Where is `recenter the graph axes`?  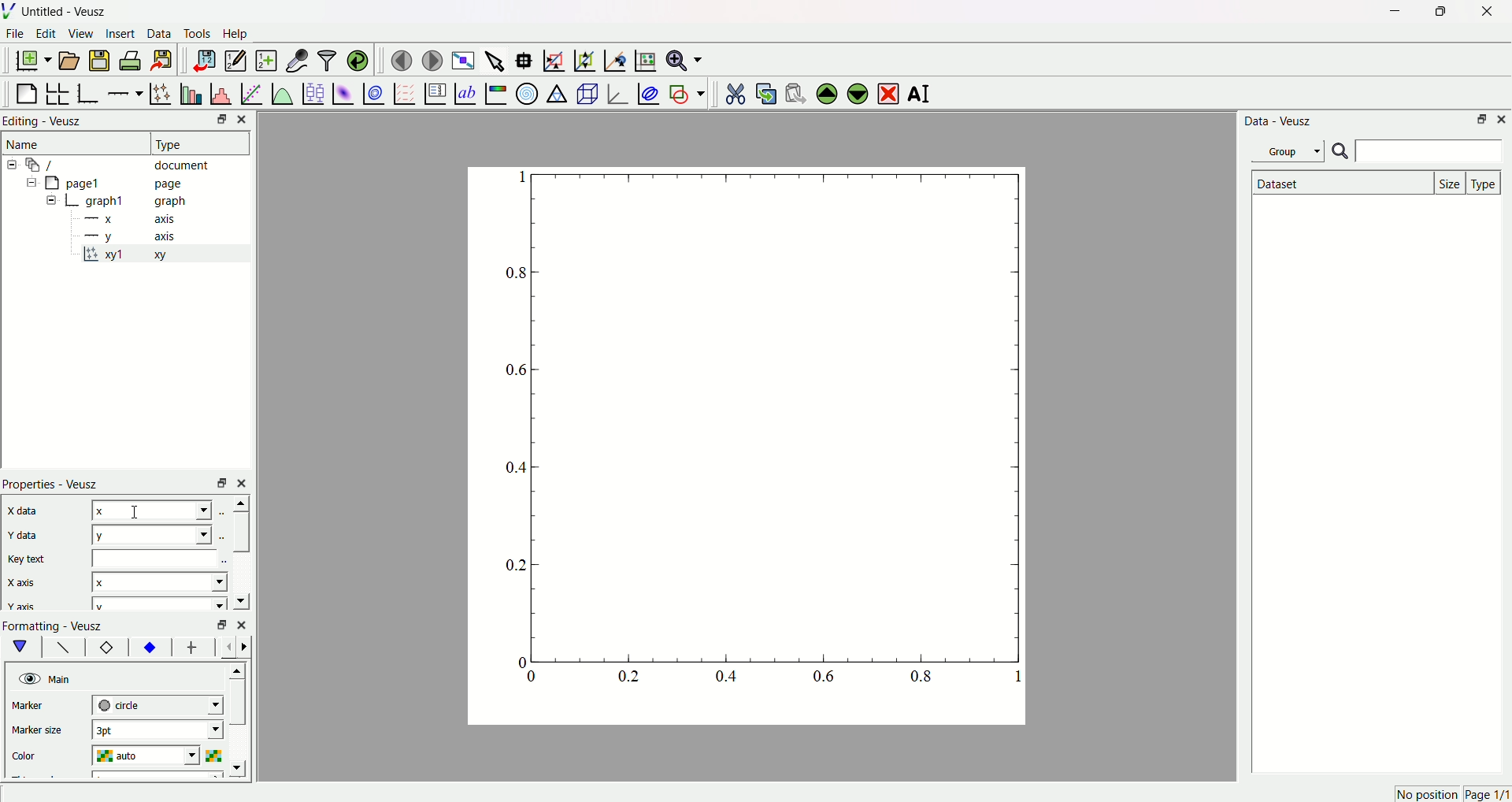 recenter the graph axes is located at coordinates (612, 57).